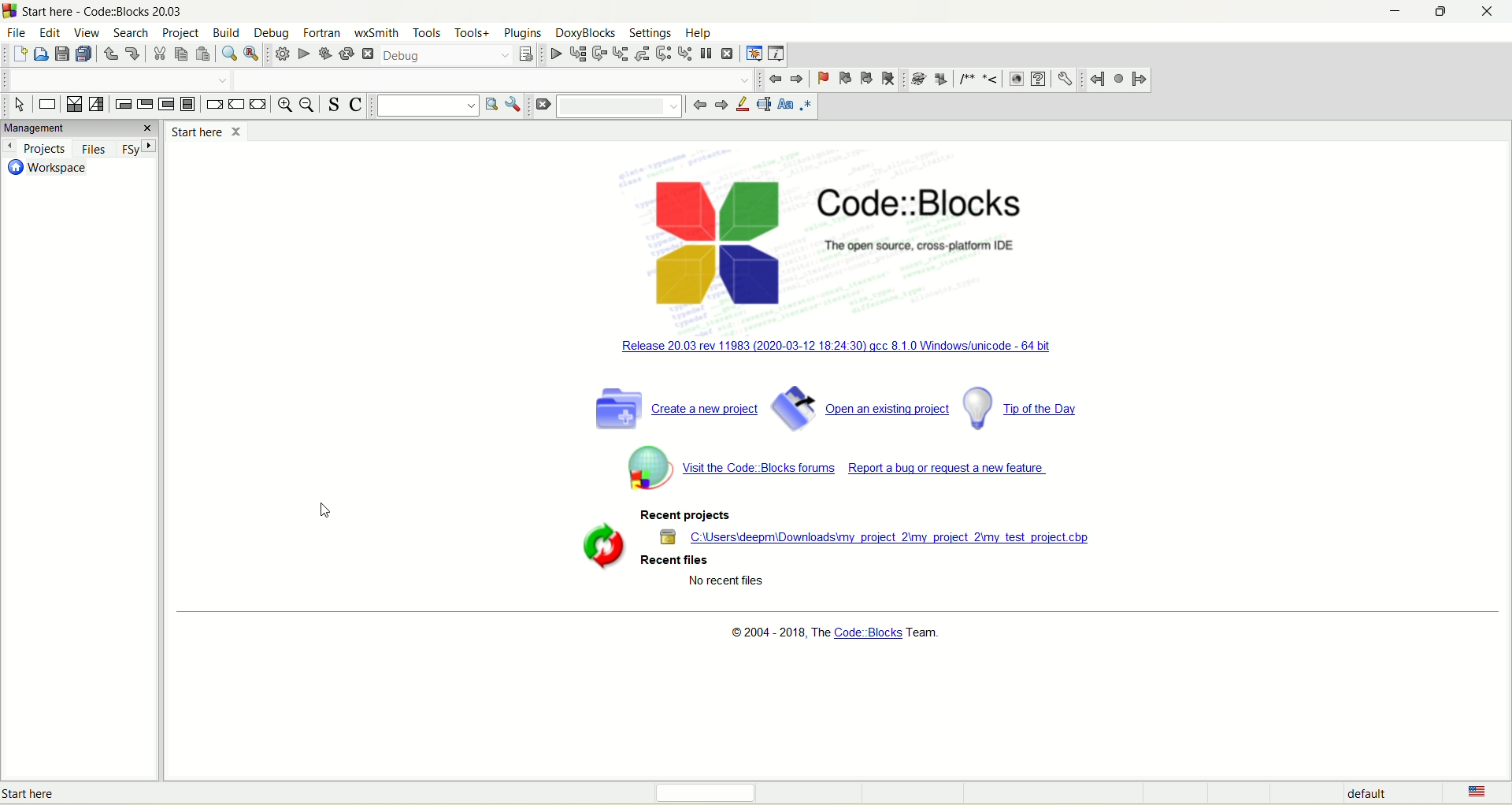 Image resolution: width=1512 pixels, height=805 pixels. What do you see at coordinates (134, 52) in the screenshot?
I see `redo` at bounding box center [134, 52].